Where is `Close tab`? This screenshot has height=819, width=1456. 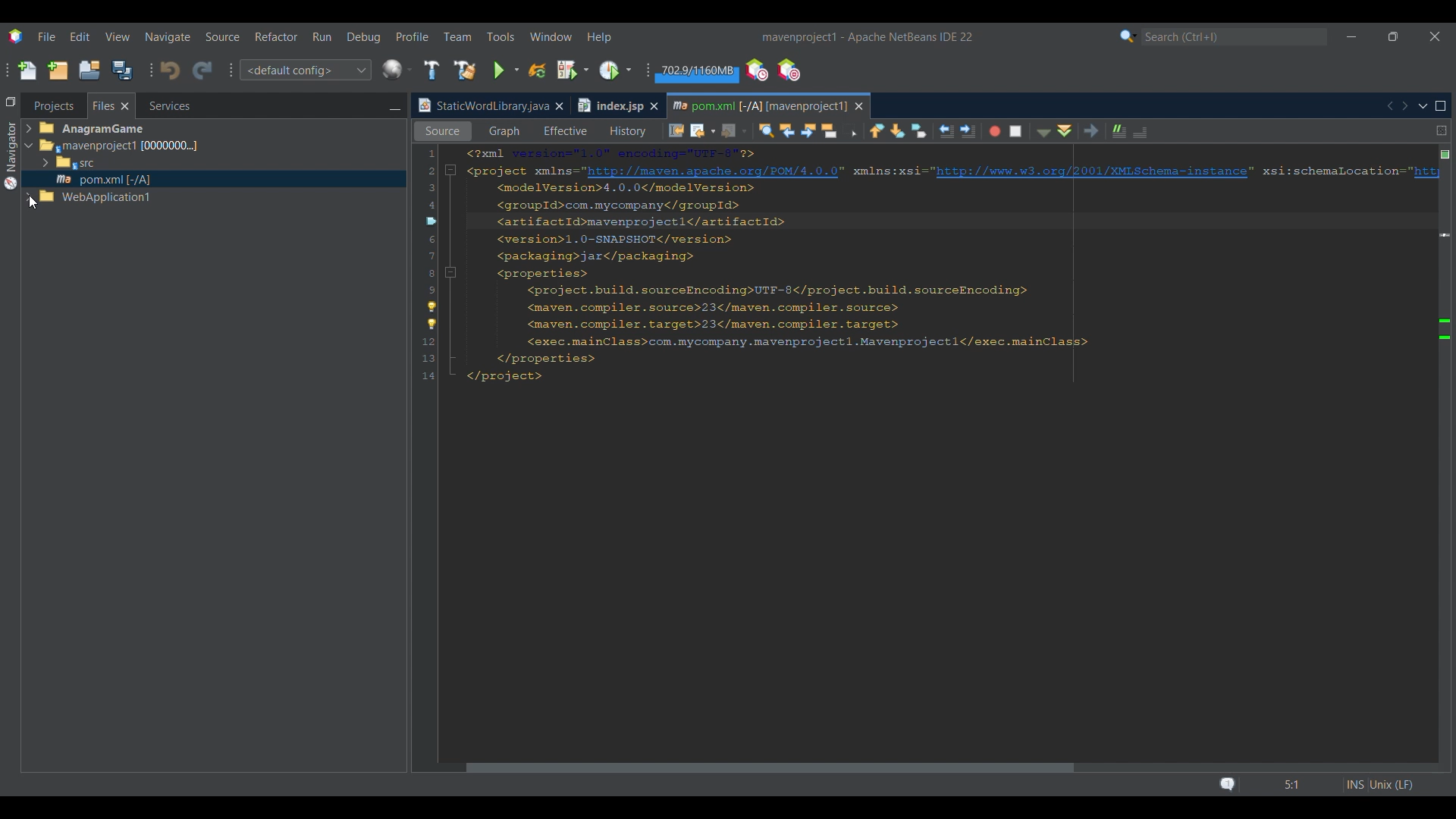 Close tab is located at coordinates (559, 106).